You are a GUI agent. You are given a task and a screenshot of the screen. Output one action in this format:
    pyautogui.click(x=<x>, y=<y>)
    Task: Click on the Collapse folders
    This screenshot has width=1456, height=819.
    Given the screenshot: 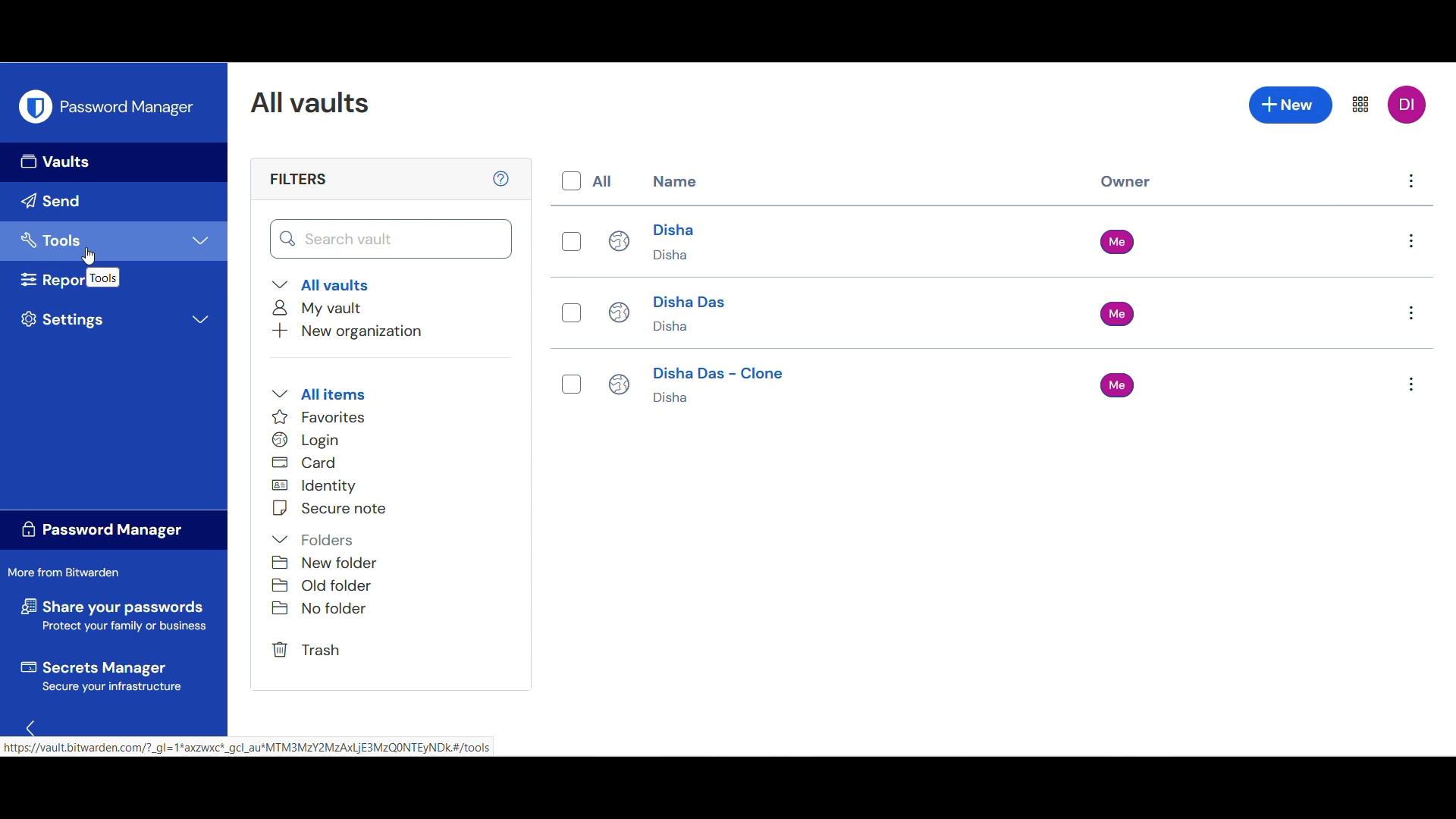 What is the action you would take?
    pyautogui.click(x=316, y=541)
    